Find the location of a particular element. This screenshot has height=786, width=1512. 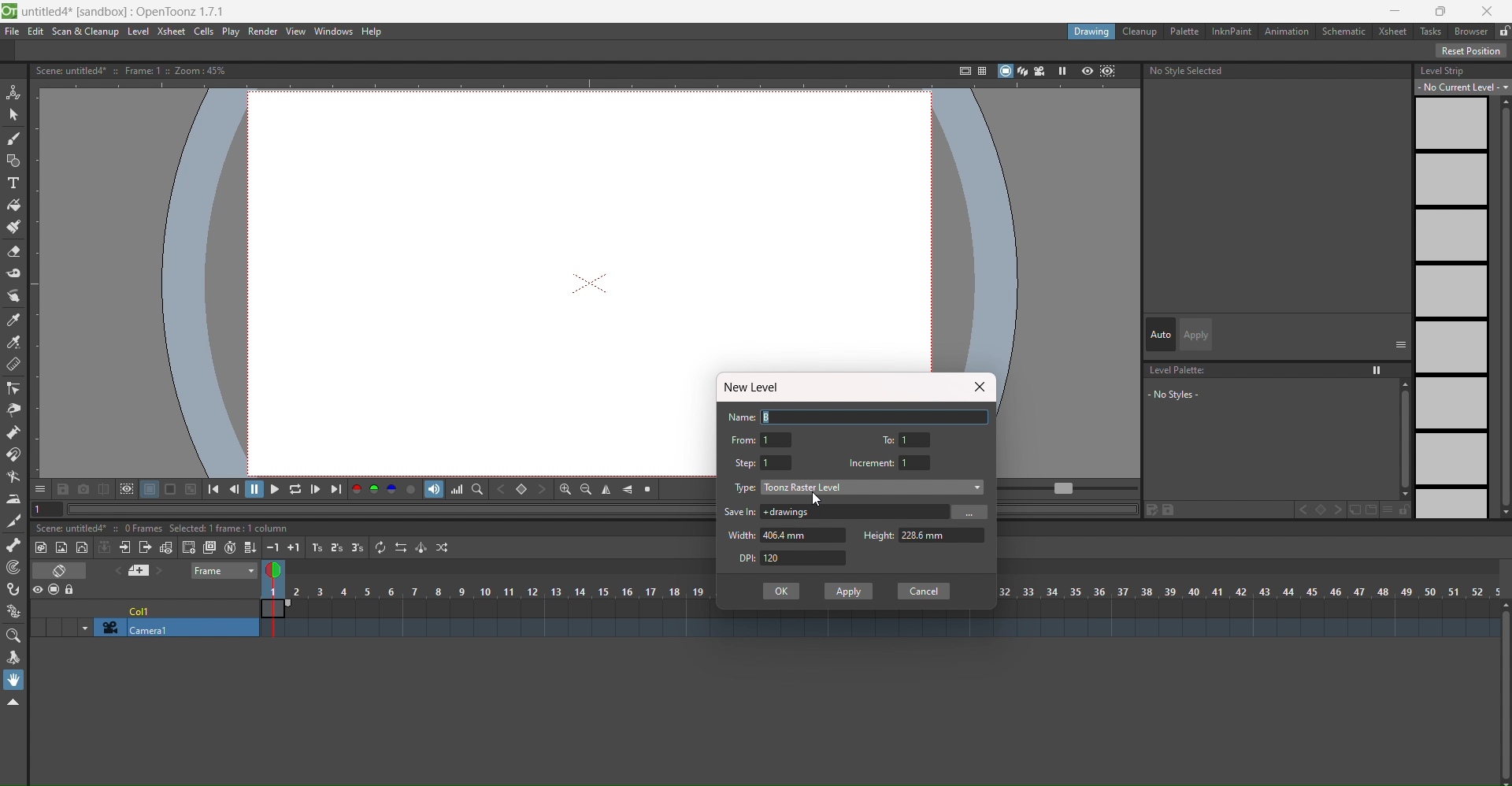

level strips is located at coordinates (1451, 308).